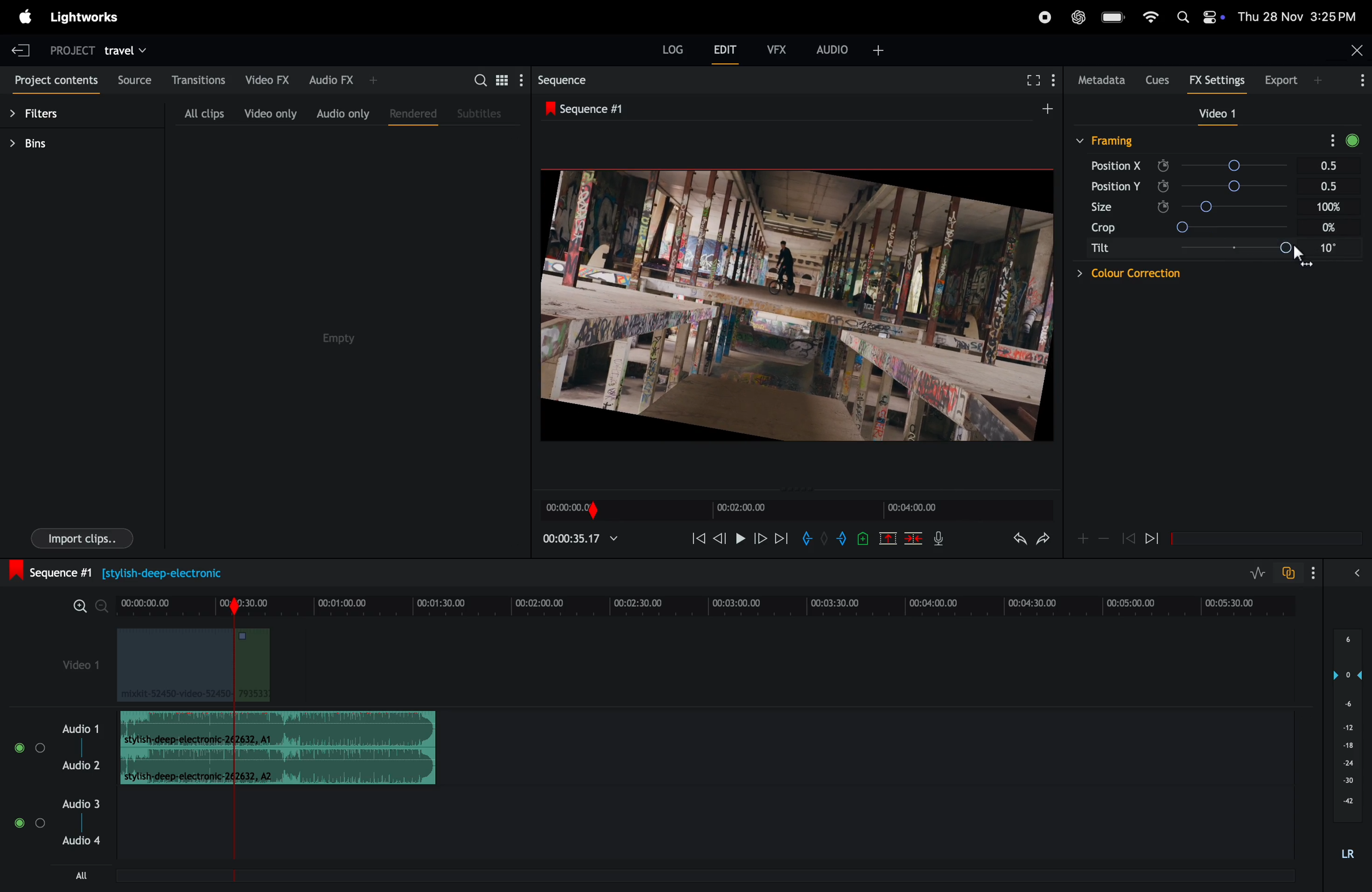 Image resolution: width=1372 pixels, height=892 pixels. I want to click on size, so click(1118, 210).